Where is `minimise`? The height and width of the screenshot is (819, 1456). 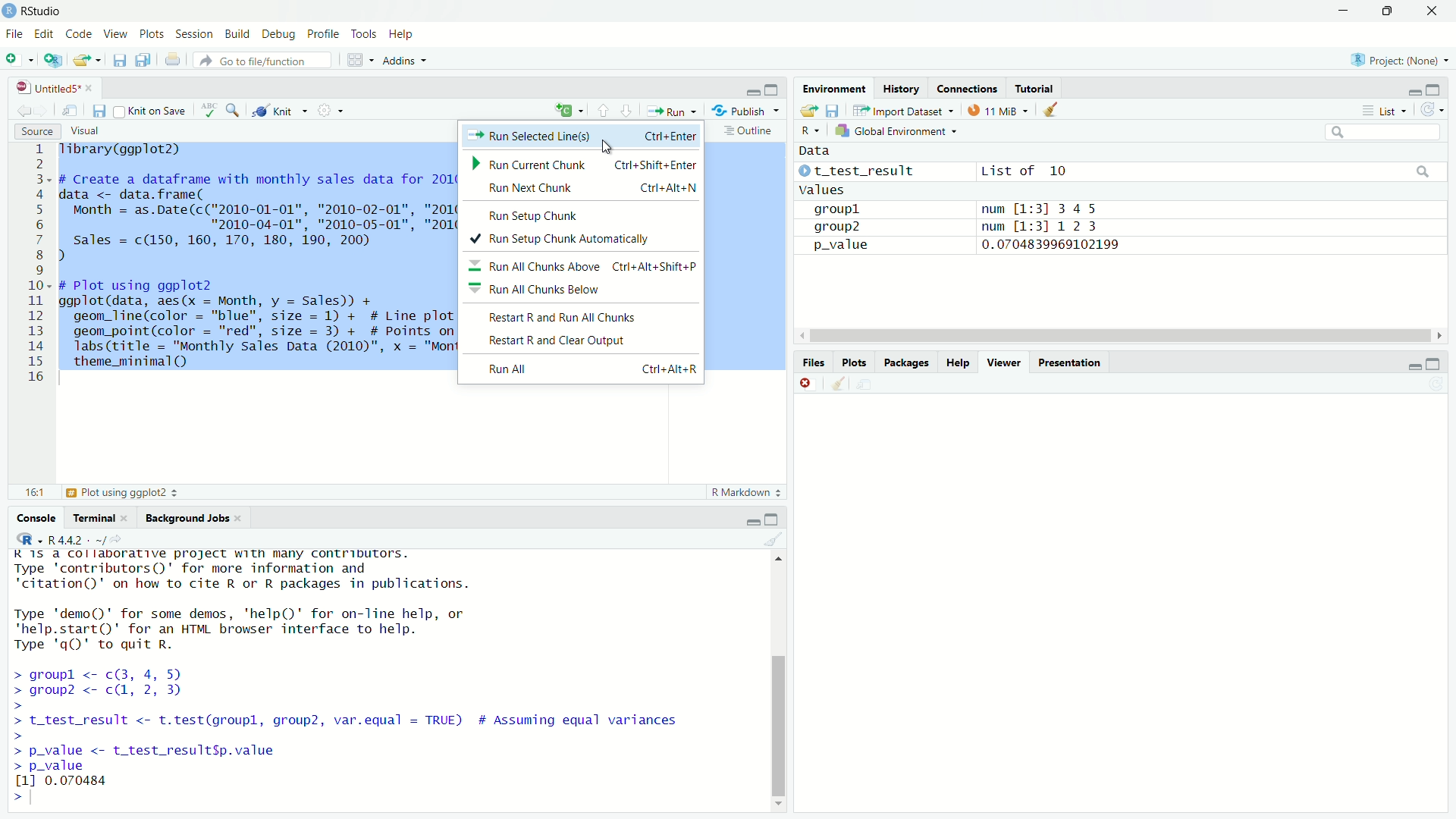 minimise is located at coordinates (1413, 365).